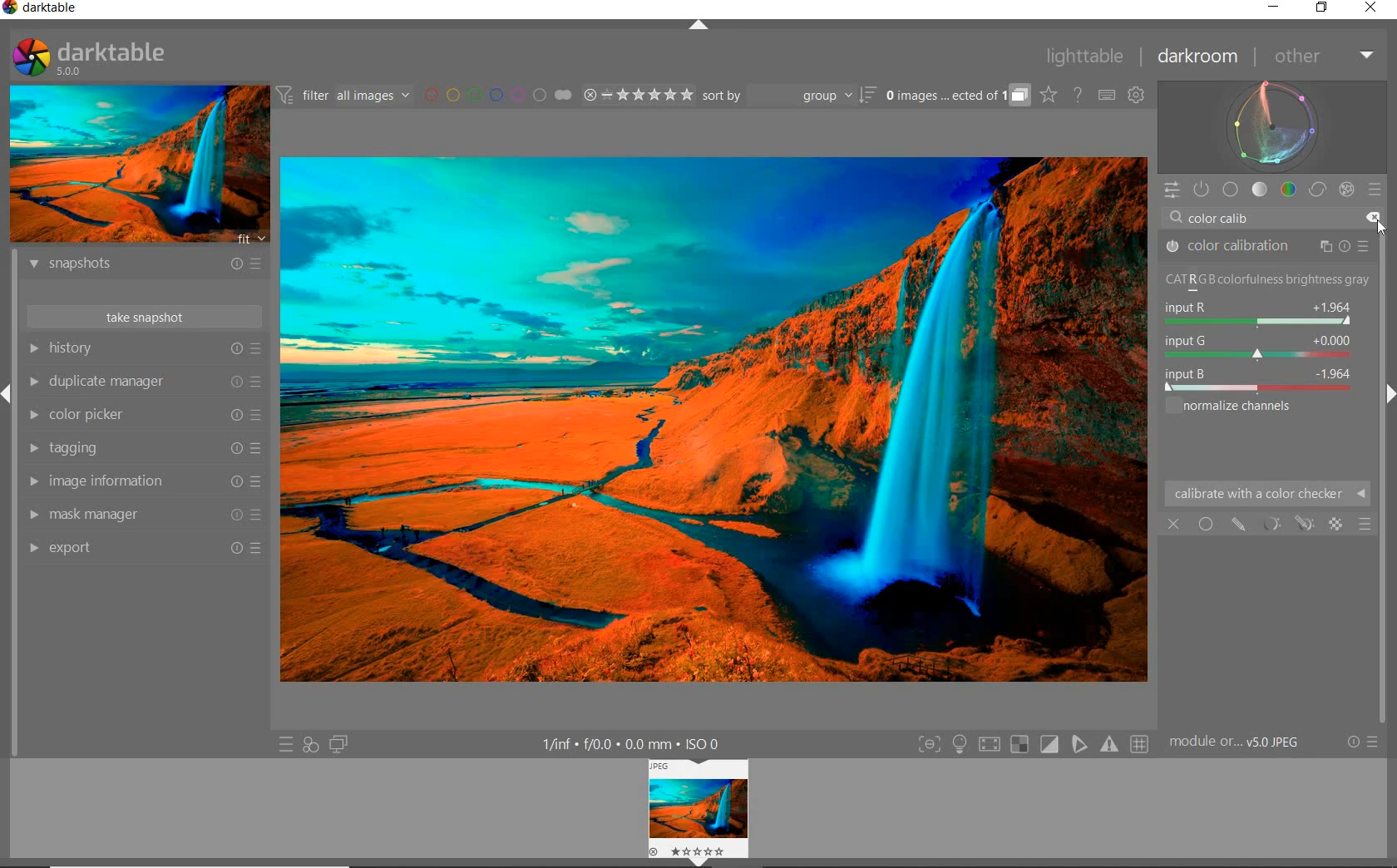 The image size is (1397, 868). I want to click on RANGE RATING OF SELECTED IMAGES, so click(638, 94).